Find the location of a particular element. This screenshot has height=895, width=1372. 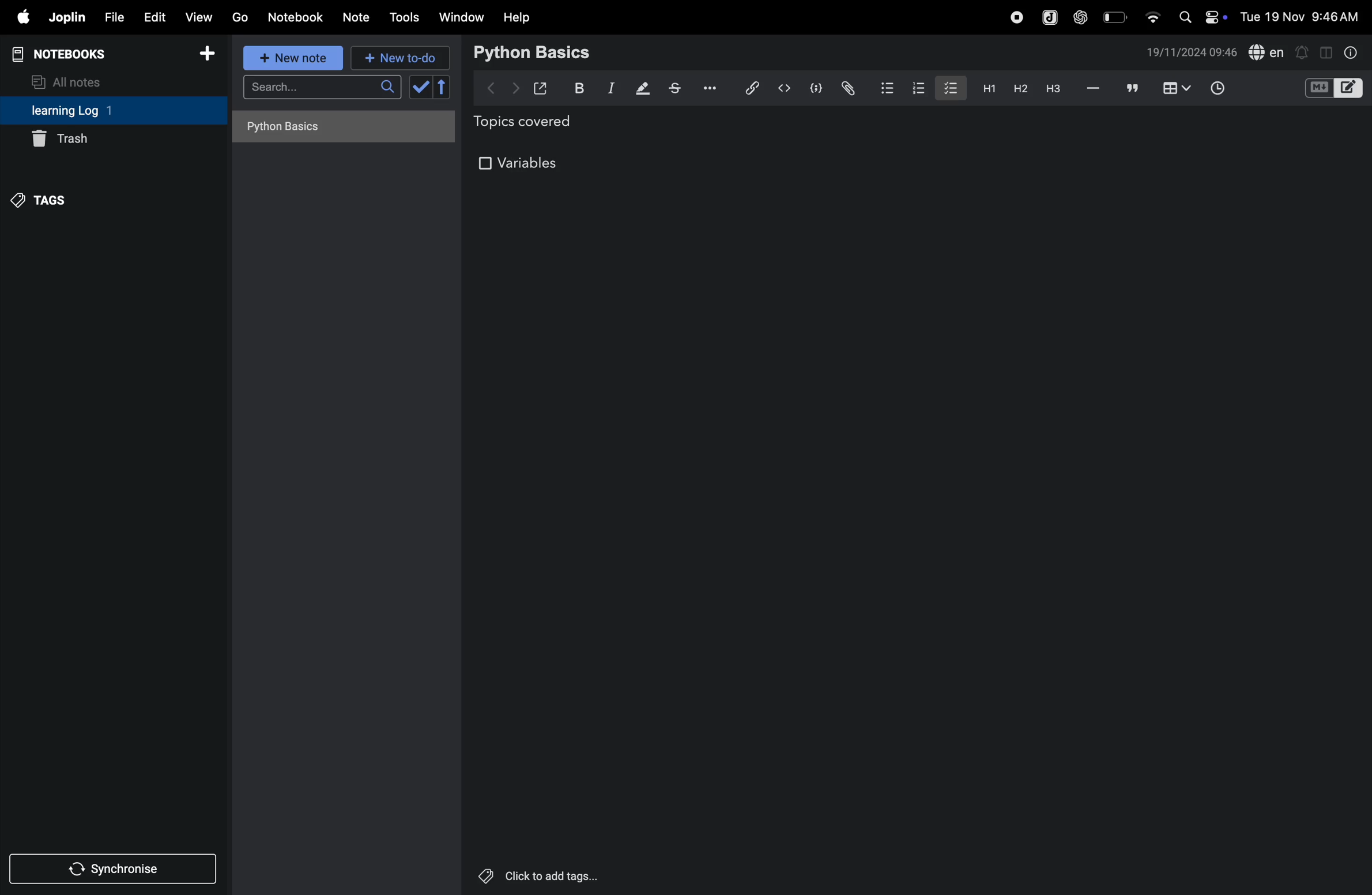

view is located at coordinates (199, 17).